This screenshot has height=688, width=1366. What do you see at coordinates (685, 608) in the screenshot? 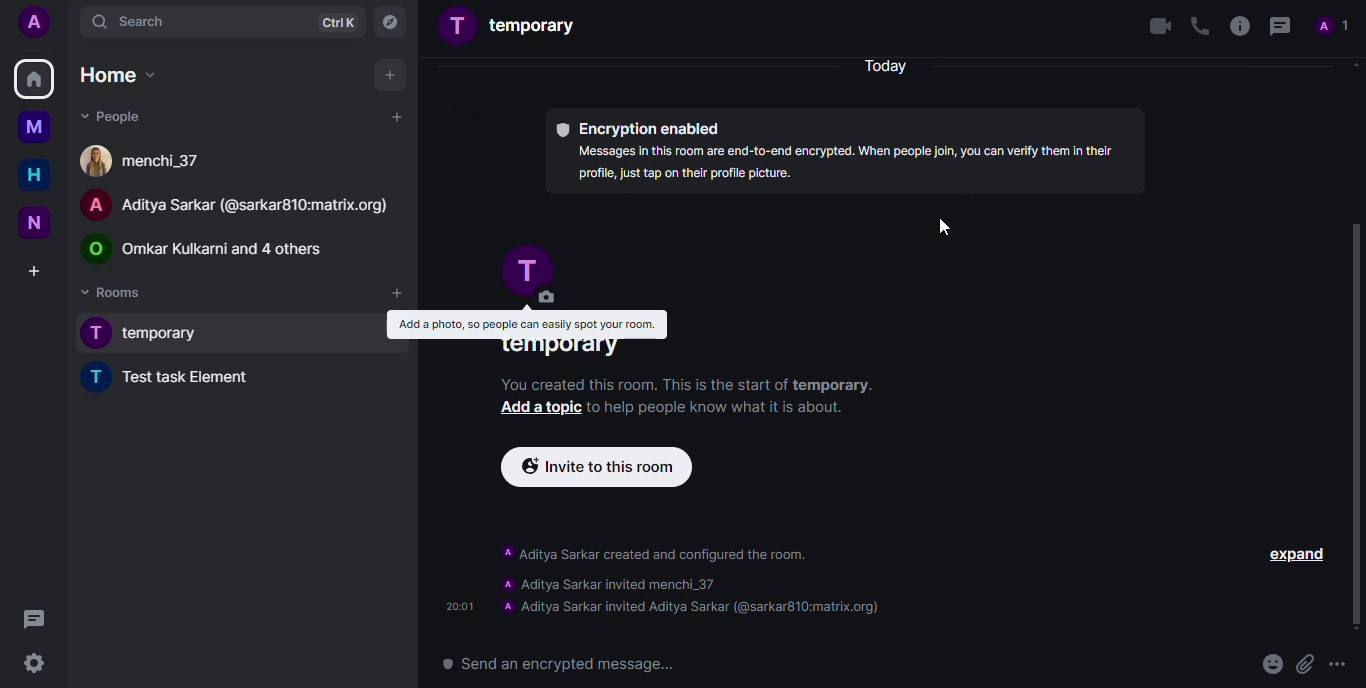
I see `contact added` at bounding box center [685, 608].